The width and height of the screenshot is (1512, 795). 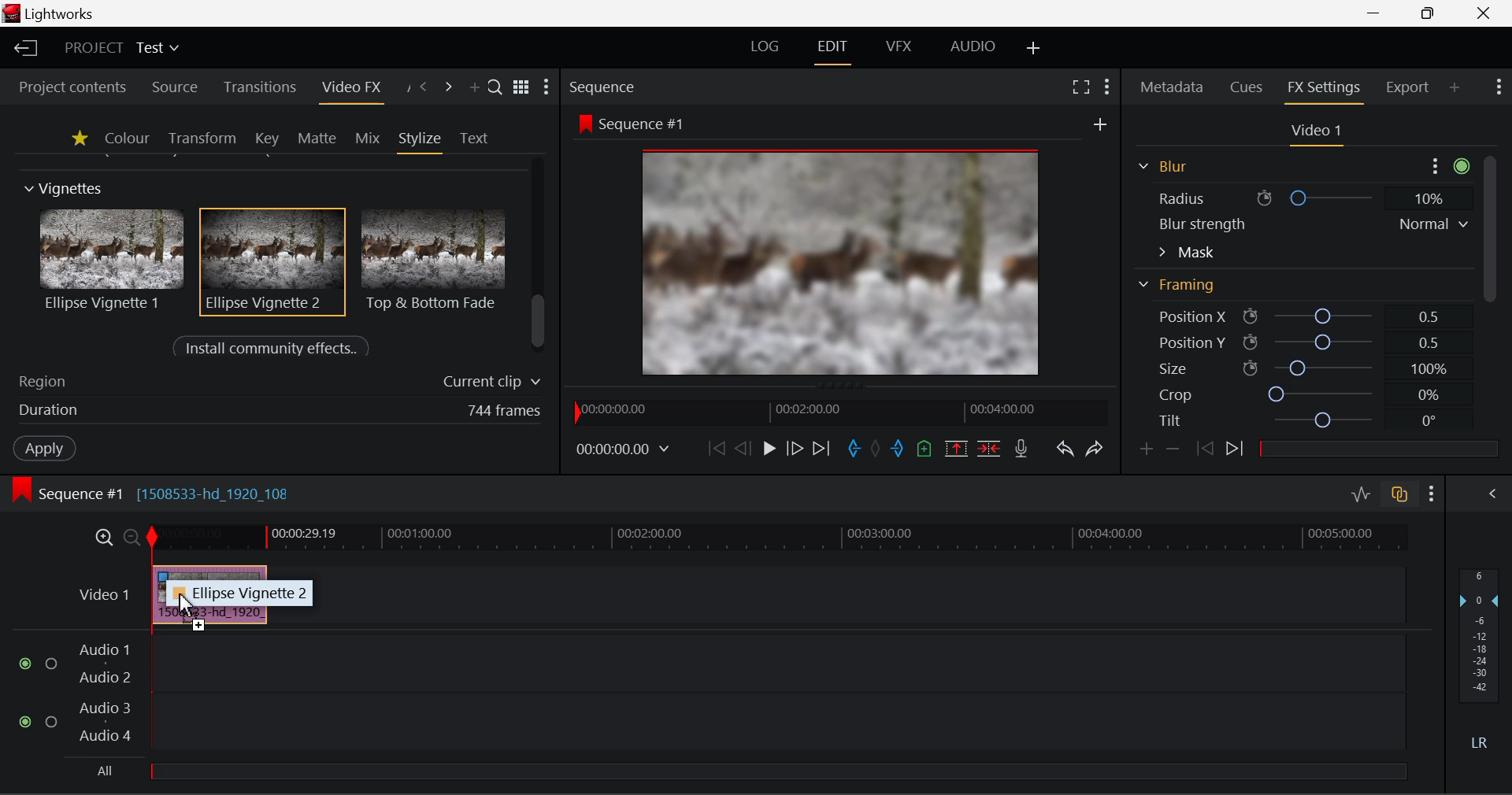 What do you see at coordinates (202, 138) in the screenshot?
I see `Transform` at bounding box center [202, 138].